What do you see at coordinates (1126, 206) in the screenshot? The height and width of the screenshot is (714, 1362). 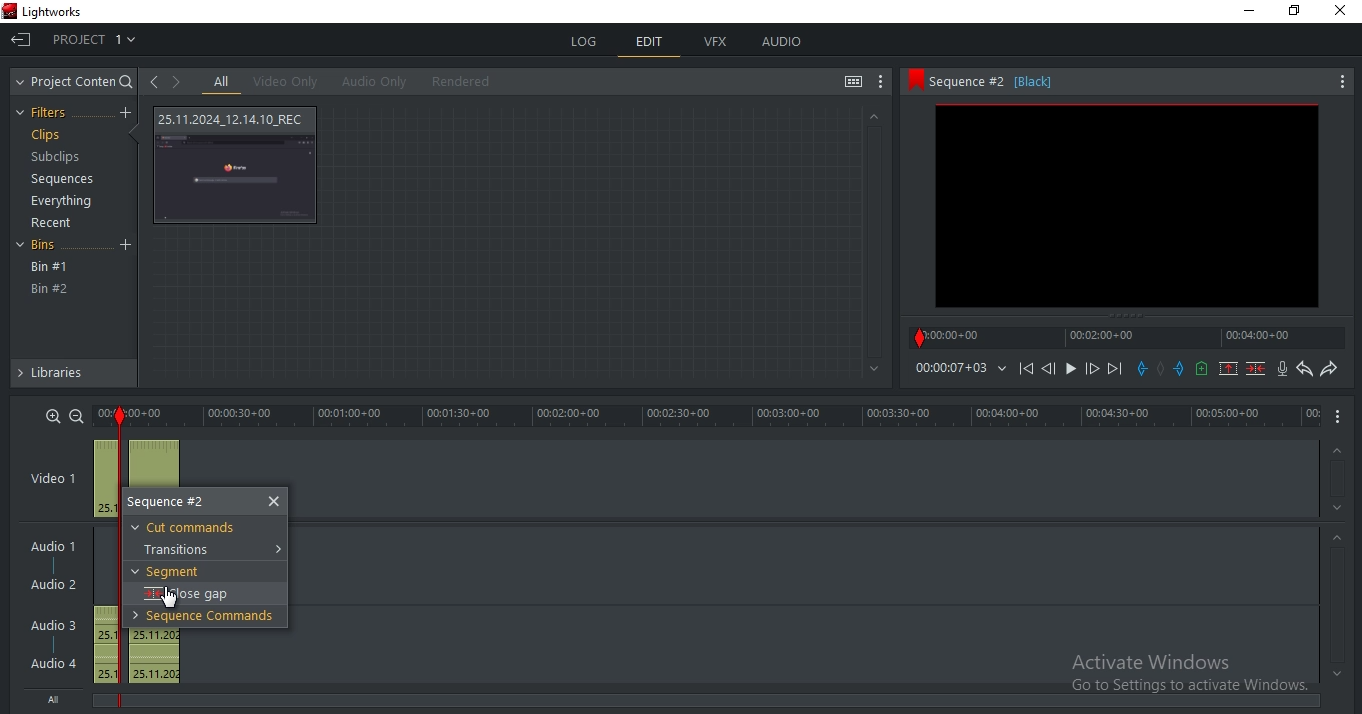 I see `clip` at bounding box center [1126, 206].